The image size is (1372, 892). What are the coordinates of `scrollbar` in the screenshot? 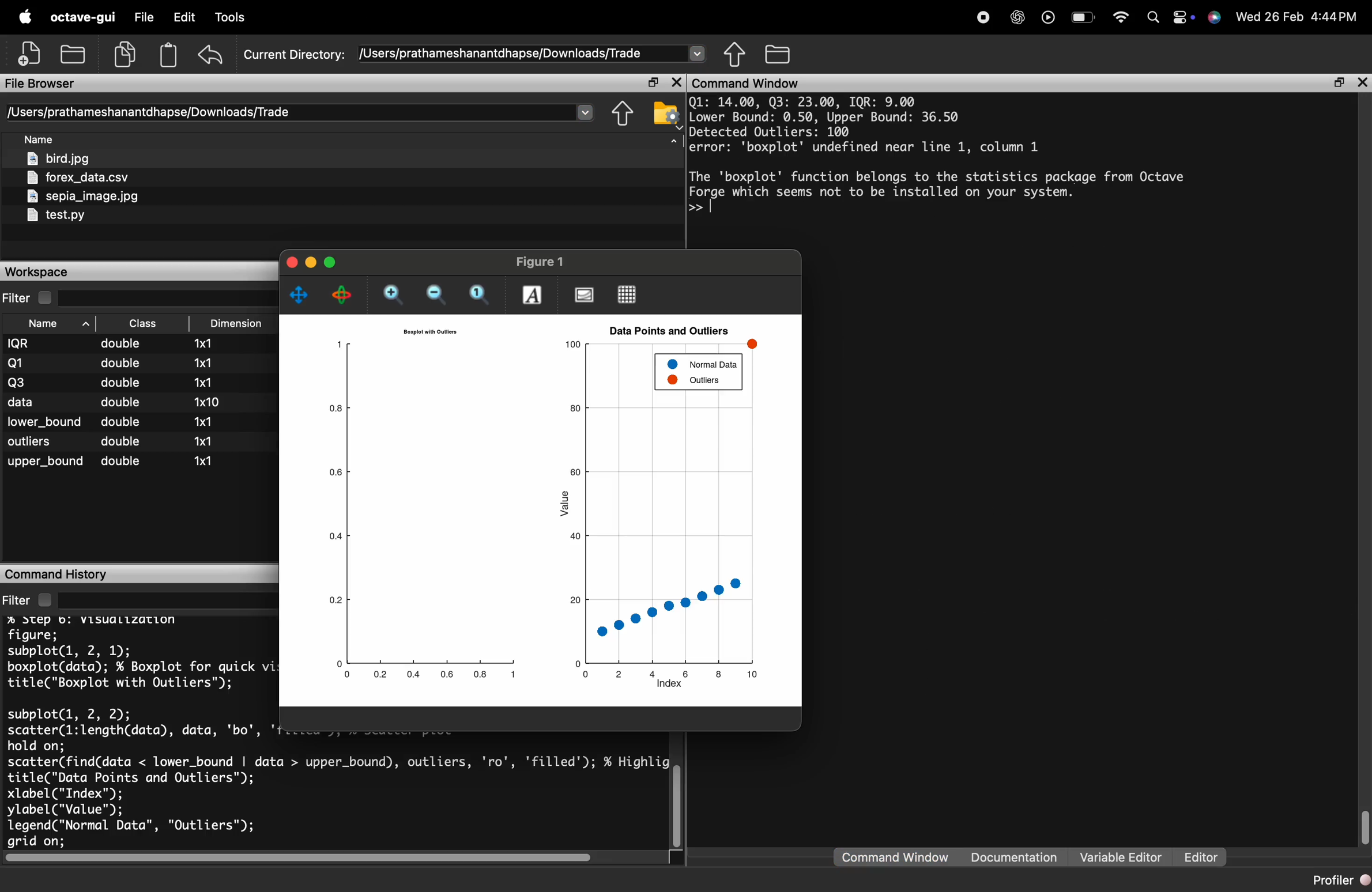 It's located at (1365, 827).